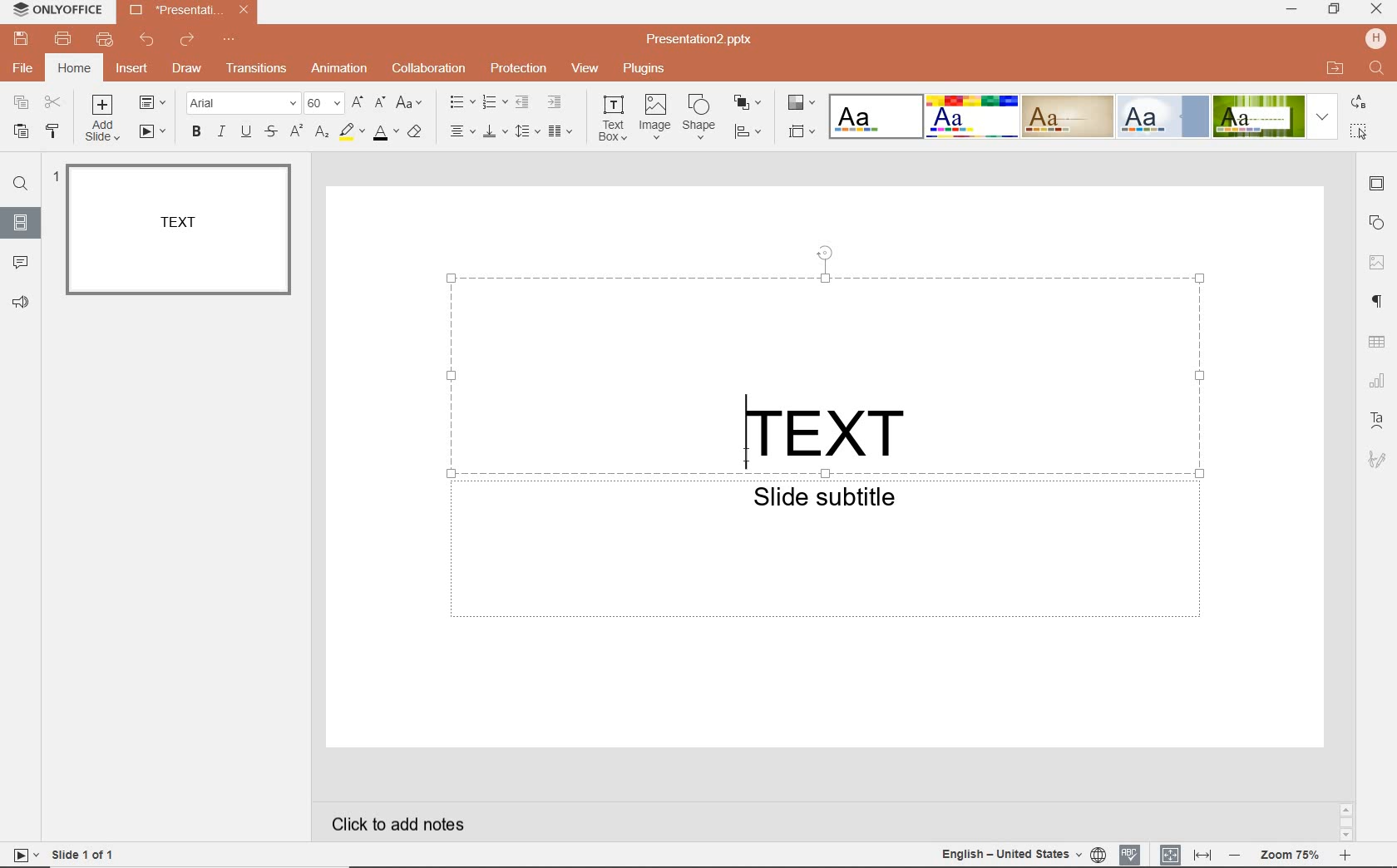  What do you see at coordinates (22, 104) in the screenshot?
I see `COPY` at bounding box center [22, 104].